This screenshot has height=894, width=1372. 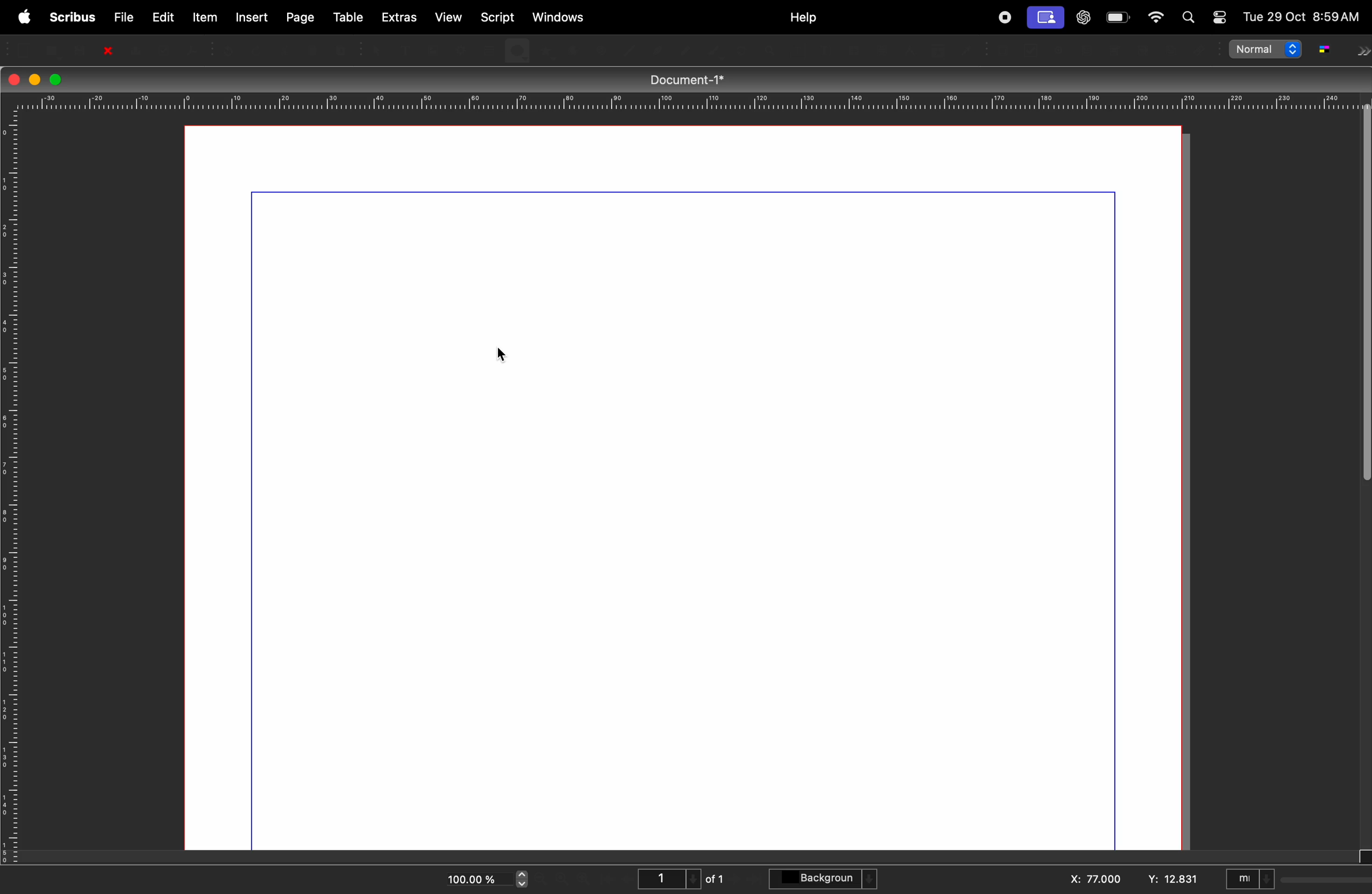 What do you see at coordinates (1359, 316) in the screenshot?
I see `verticle sidebar` at bounding box center [1359, 316].